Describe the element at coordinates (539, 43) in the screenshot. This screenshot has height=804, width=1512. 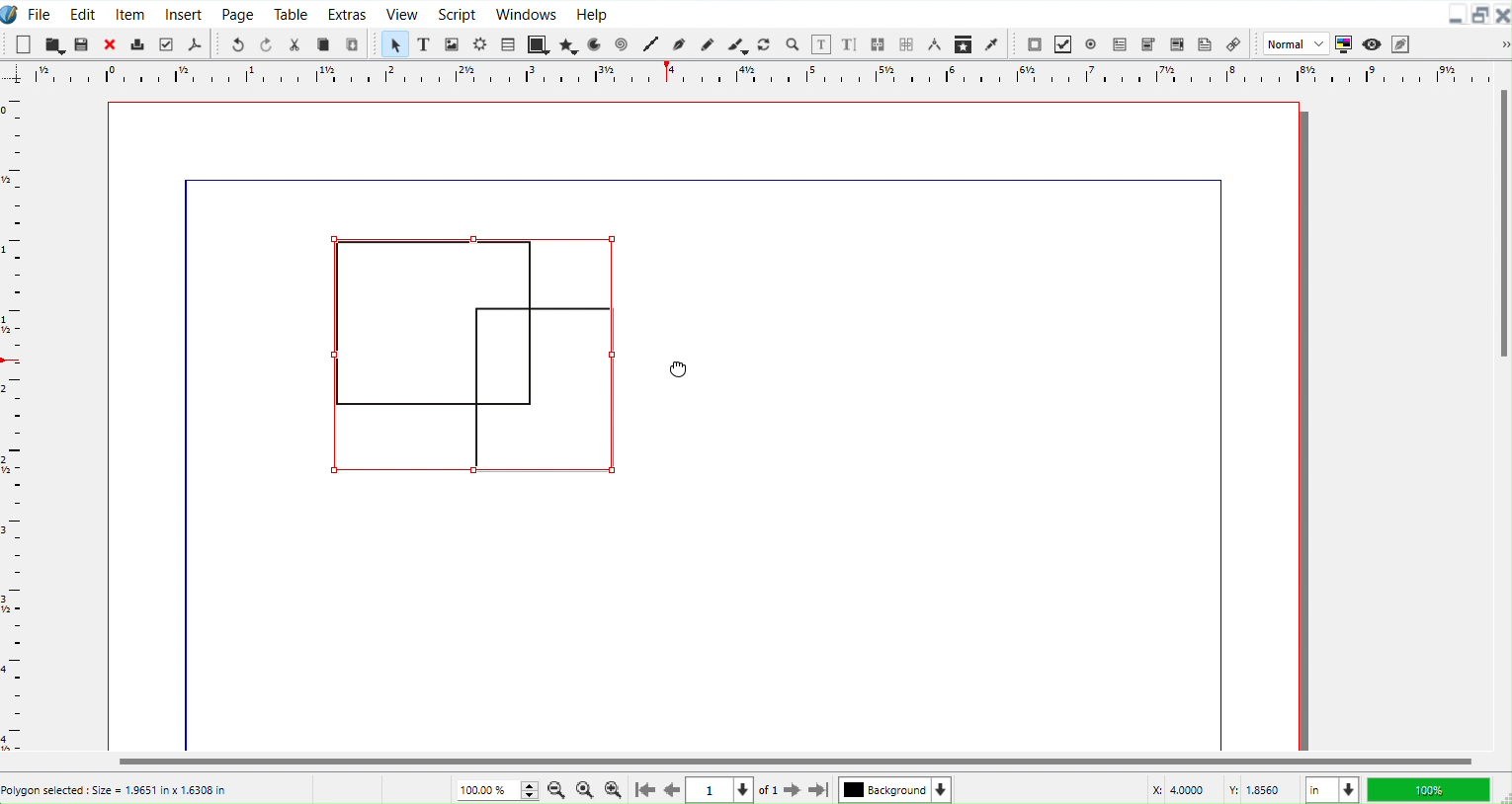
I see `Shape ` at that location.